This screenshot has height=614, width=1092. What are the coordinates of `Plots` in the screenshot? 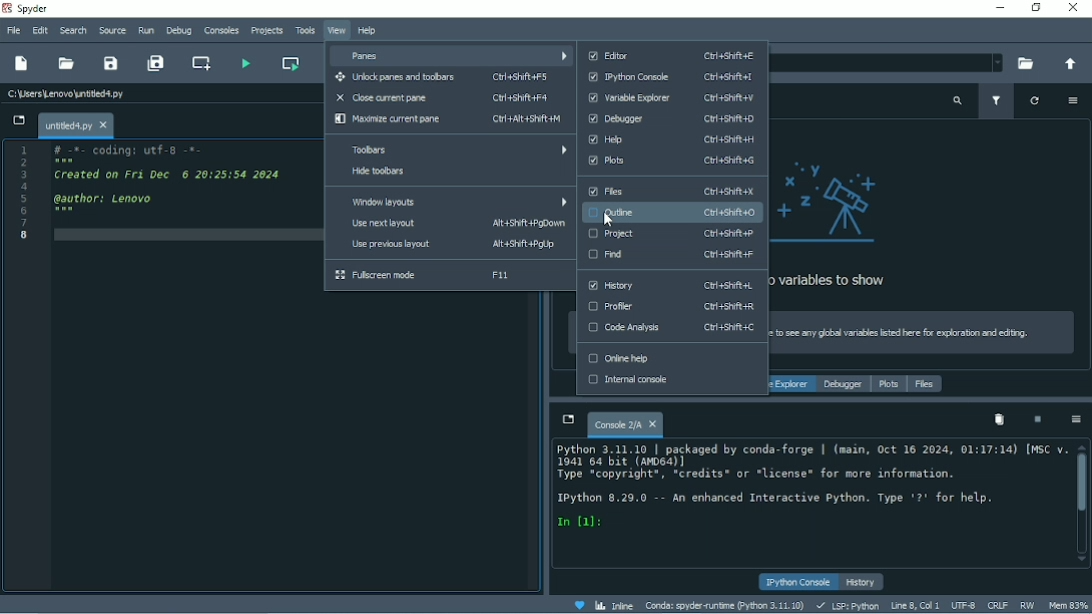 It's located at (673, 161).